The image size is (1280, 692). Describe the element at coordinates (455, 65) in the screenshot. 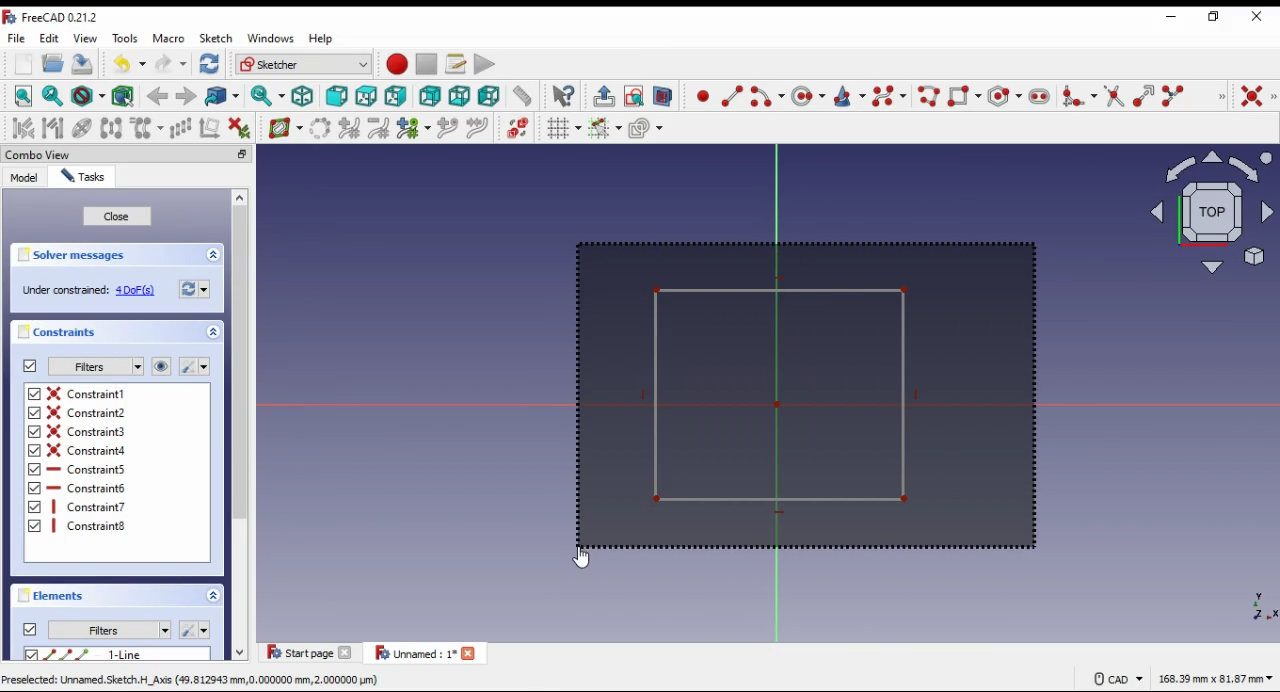

I see `macros` at that location.